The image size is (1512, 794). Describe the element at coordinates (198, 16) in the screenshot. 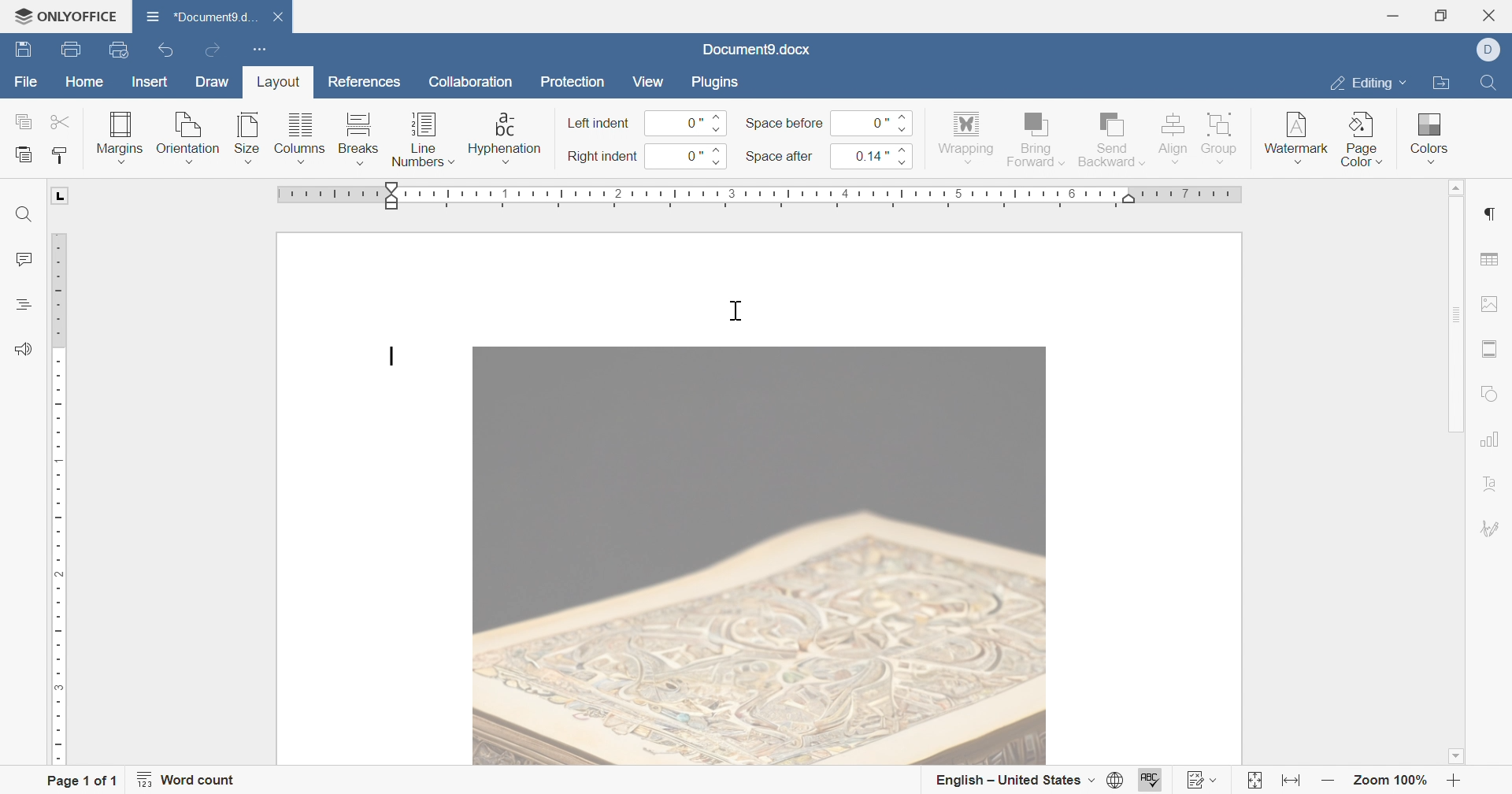

I see `document name` at that location.